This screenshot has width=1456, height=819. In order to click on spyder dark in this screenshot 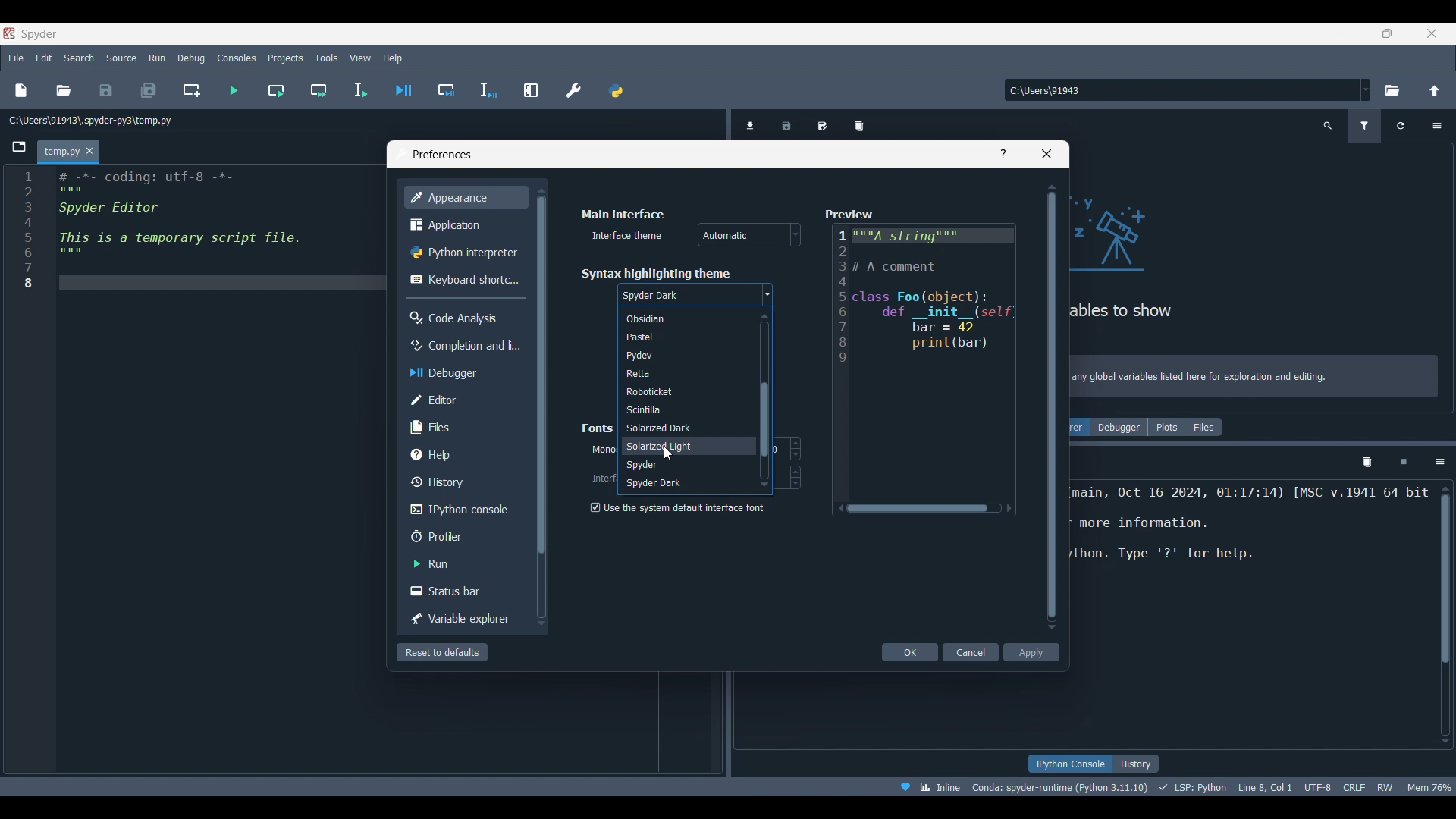, I will do `click(679, 485)`.